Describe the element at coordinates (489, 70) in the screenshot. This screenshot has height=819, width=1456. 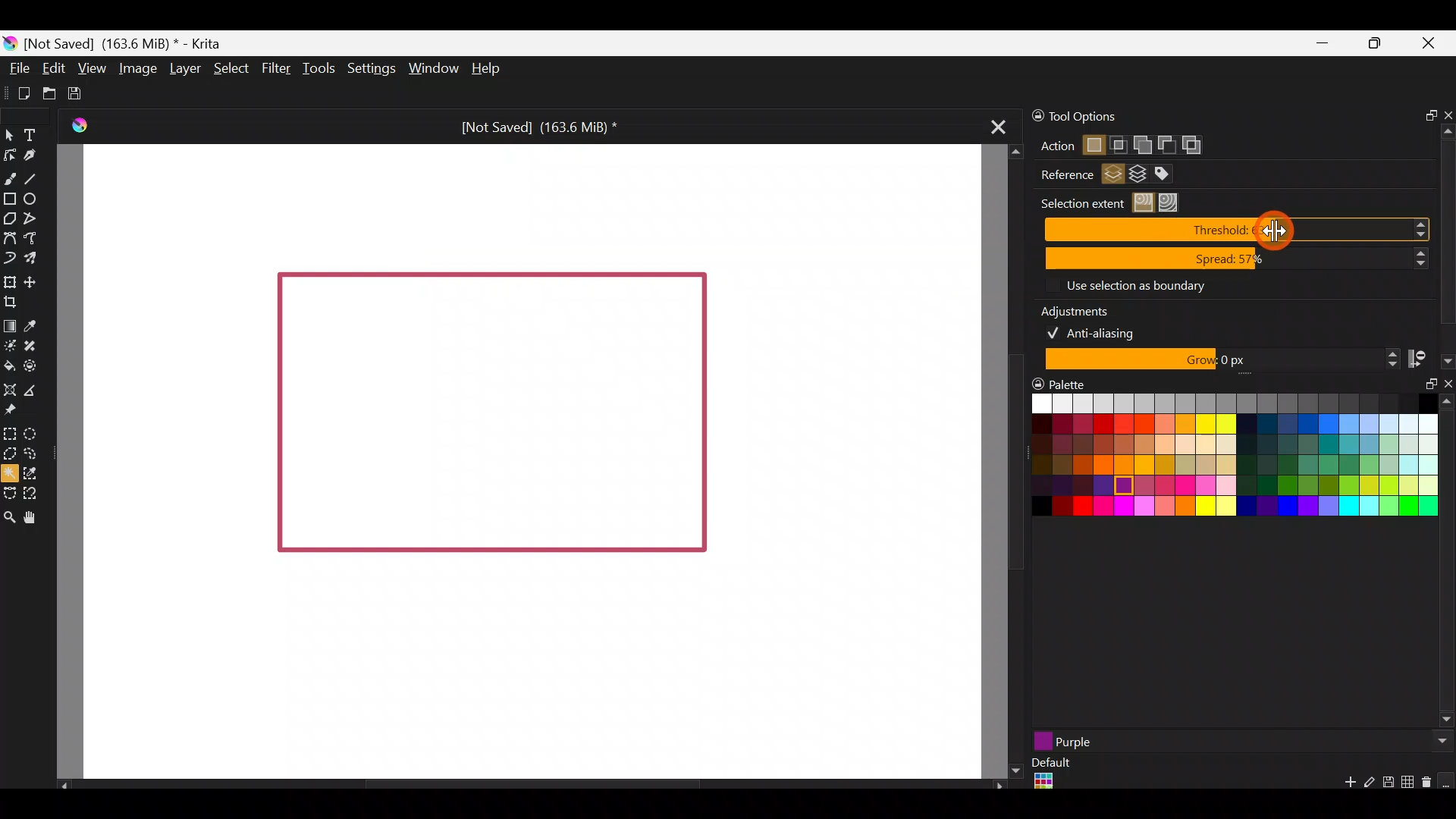
I see `Help` at that location.